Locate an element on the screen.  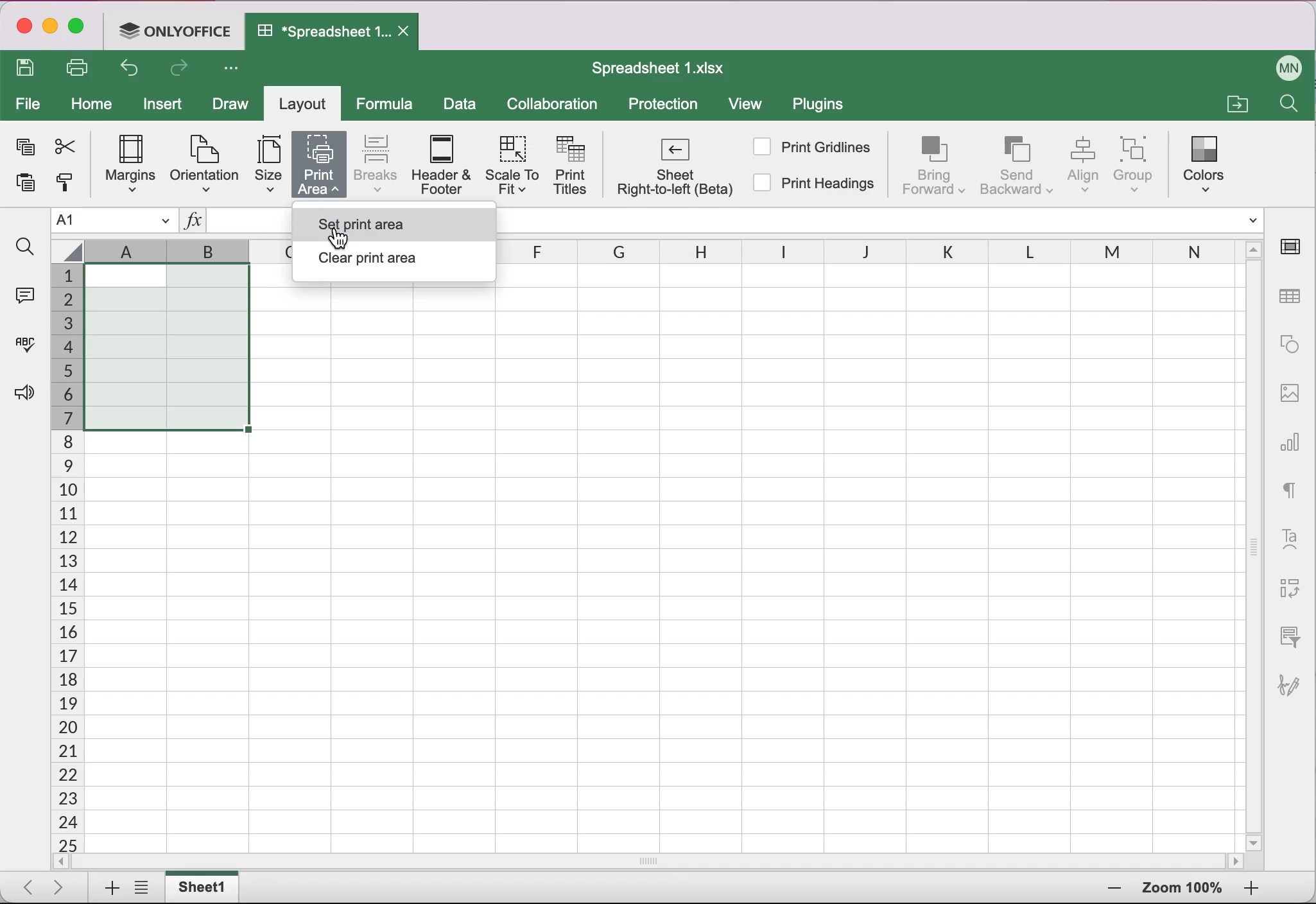
Name manager A1 is located at coordinates (114, 221).